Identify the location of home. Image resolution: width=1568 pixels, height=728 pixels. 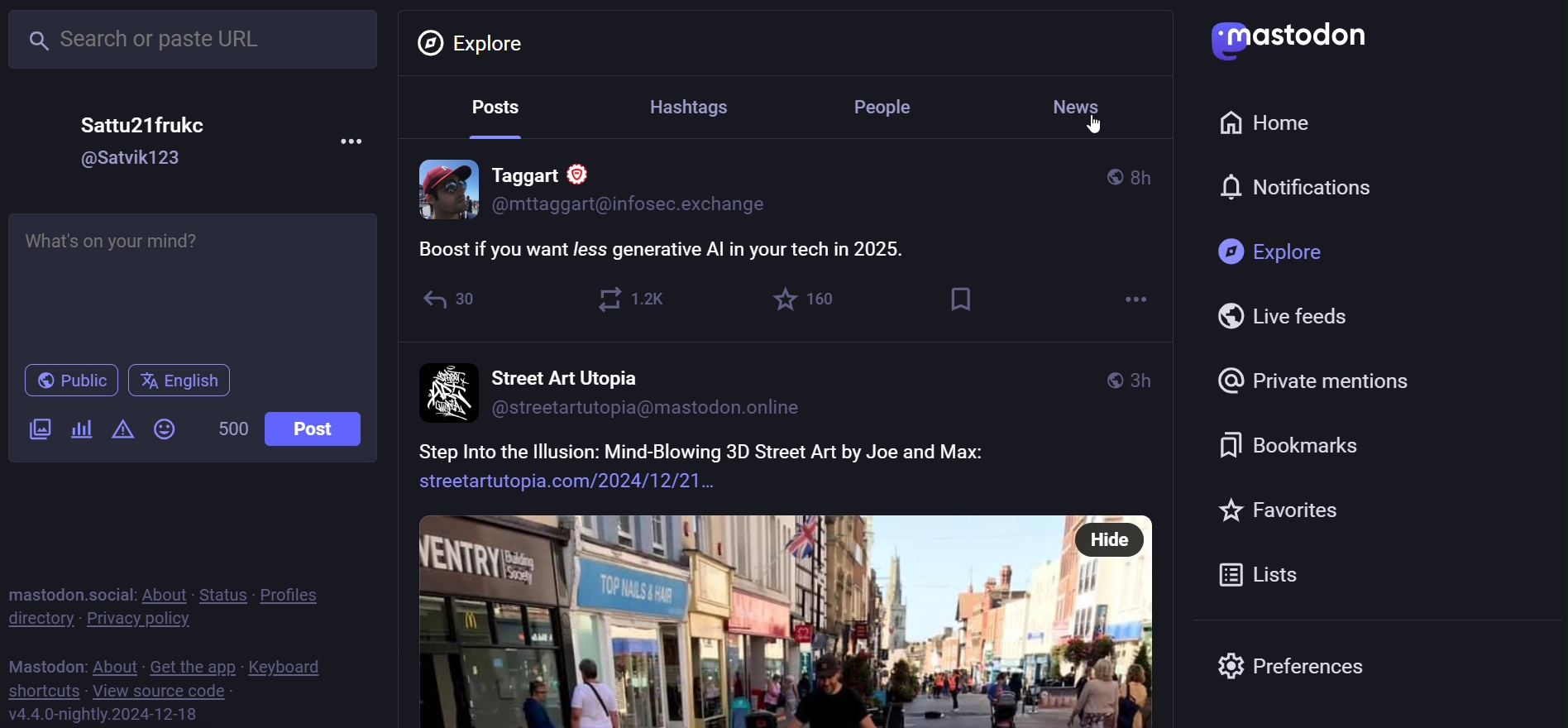
(1265, 122).